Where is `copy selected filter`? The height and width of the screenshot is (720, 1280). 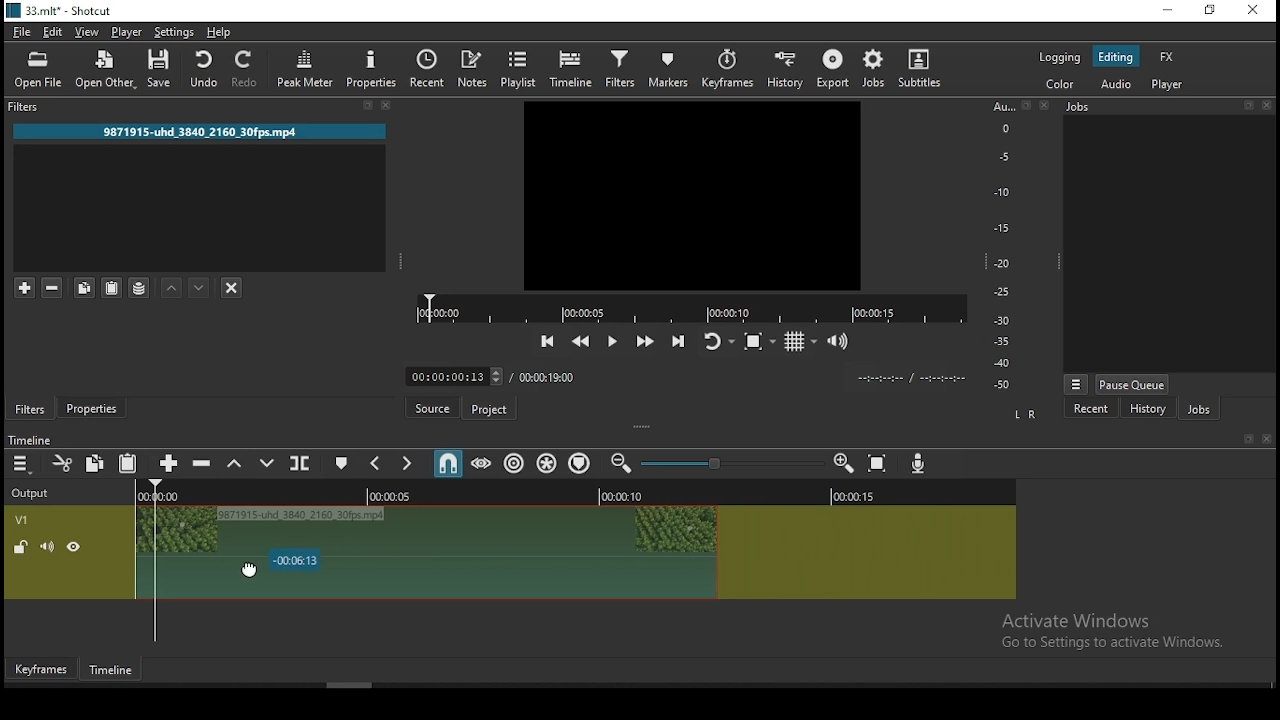
copy selected filter is located at coordinates (84, 284).